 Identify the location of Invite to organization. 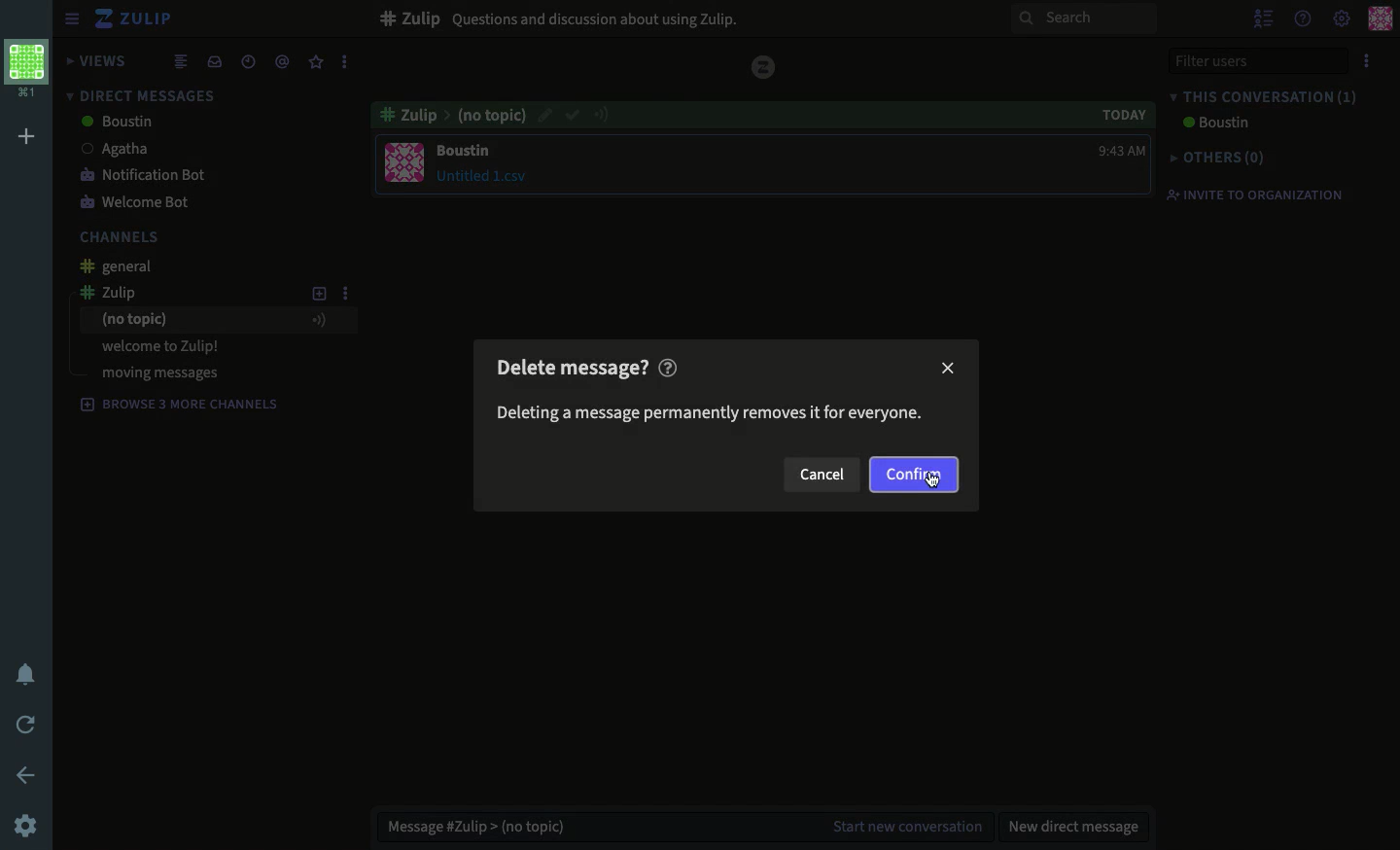
(1264, 196).